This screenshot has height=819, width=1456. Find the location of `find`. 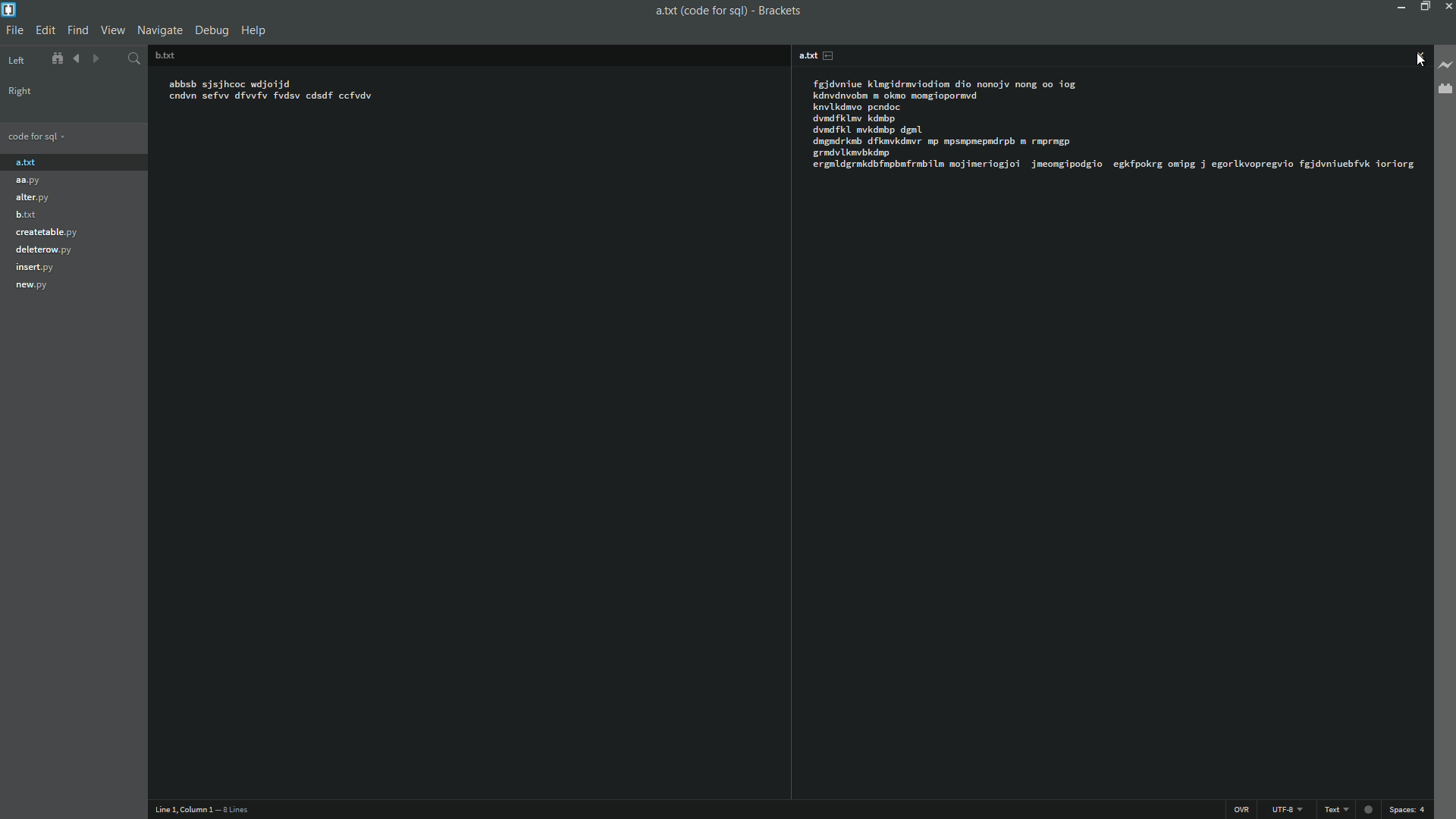

find is located at coordinates (77, 30).